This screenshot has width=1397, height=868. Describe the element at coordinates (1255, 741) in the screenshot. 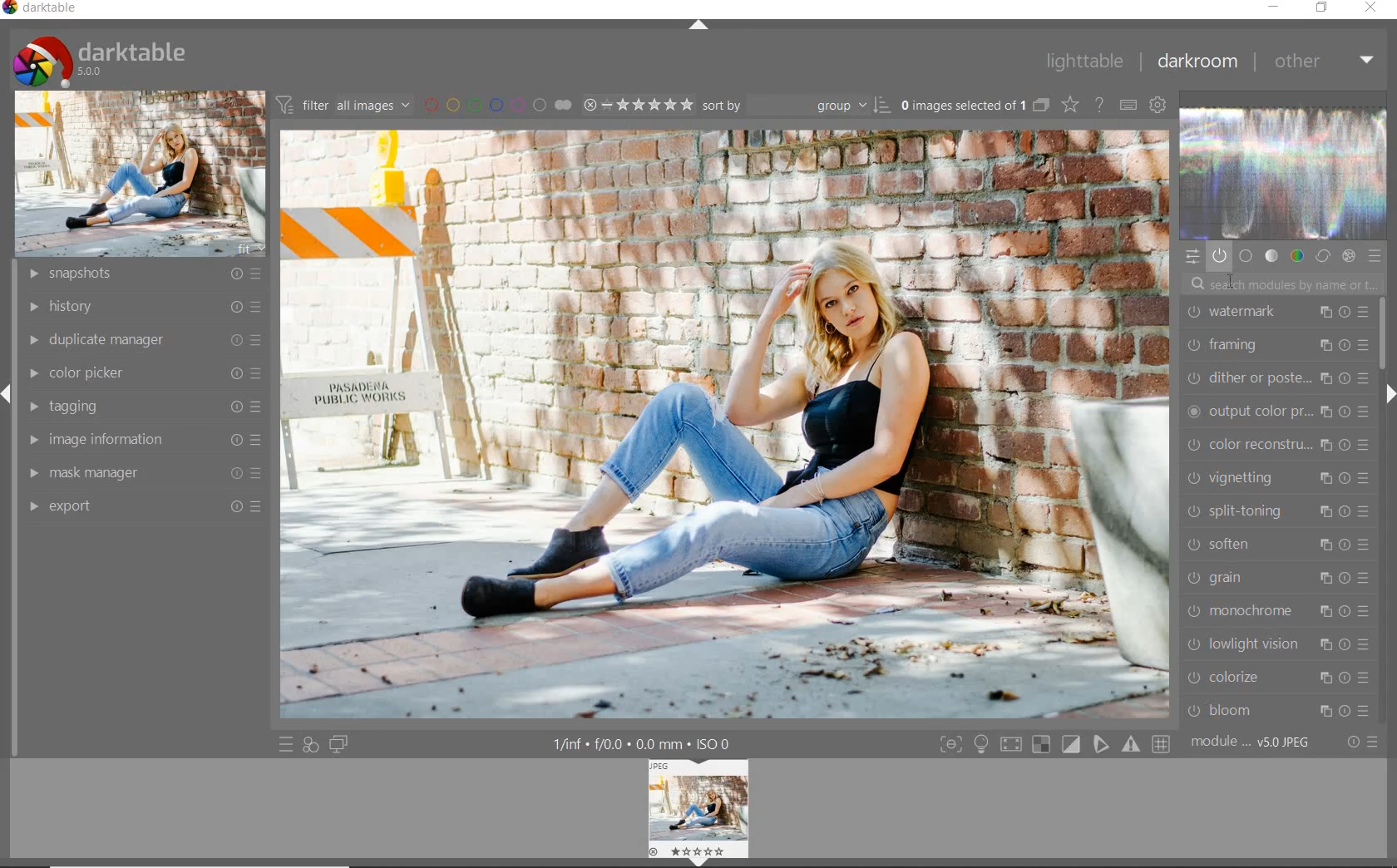

I see `module order` at that location.